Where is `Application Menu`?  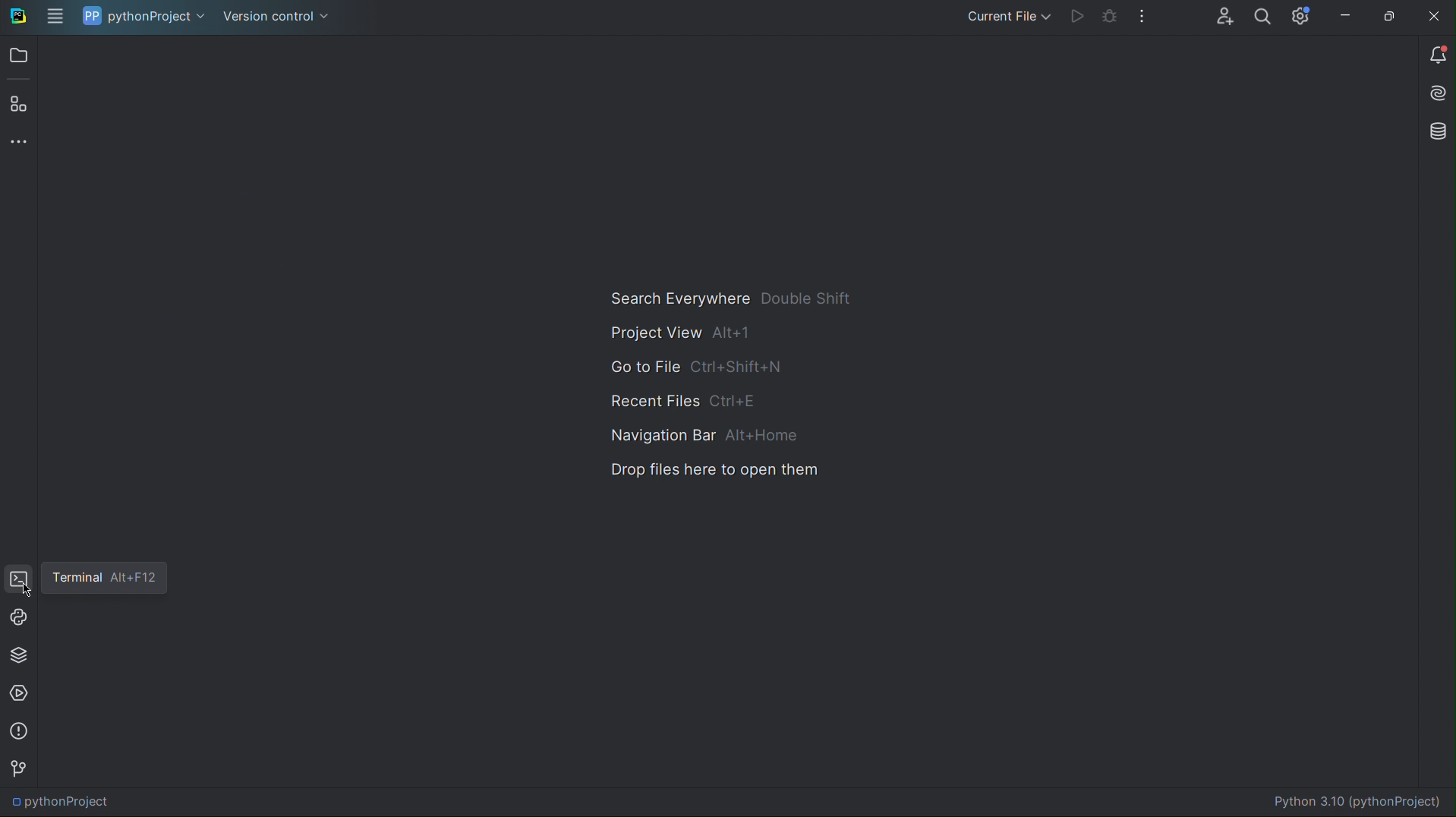
Application Menu is located at coordinates (55, 16).